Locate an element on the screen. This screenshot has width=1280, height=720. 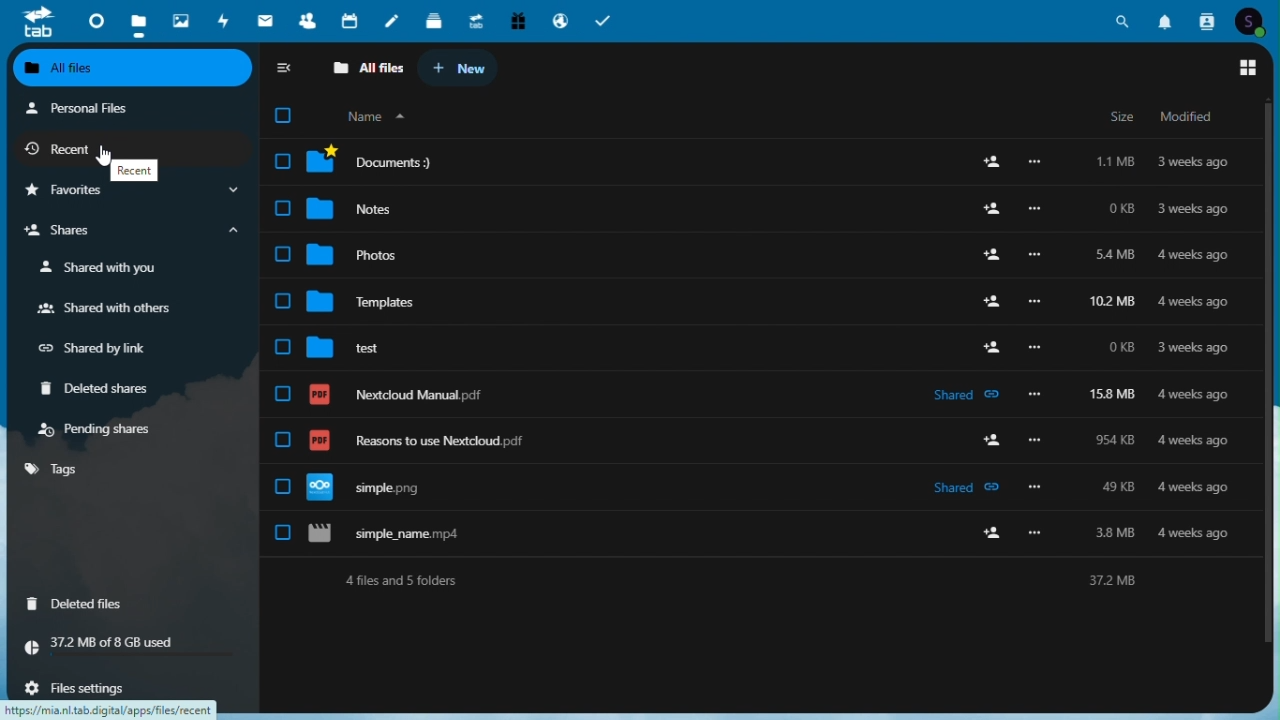
cursor is located at coordinates (103, 157).